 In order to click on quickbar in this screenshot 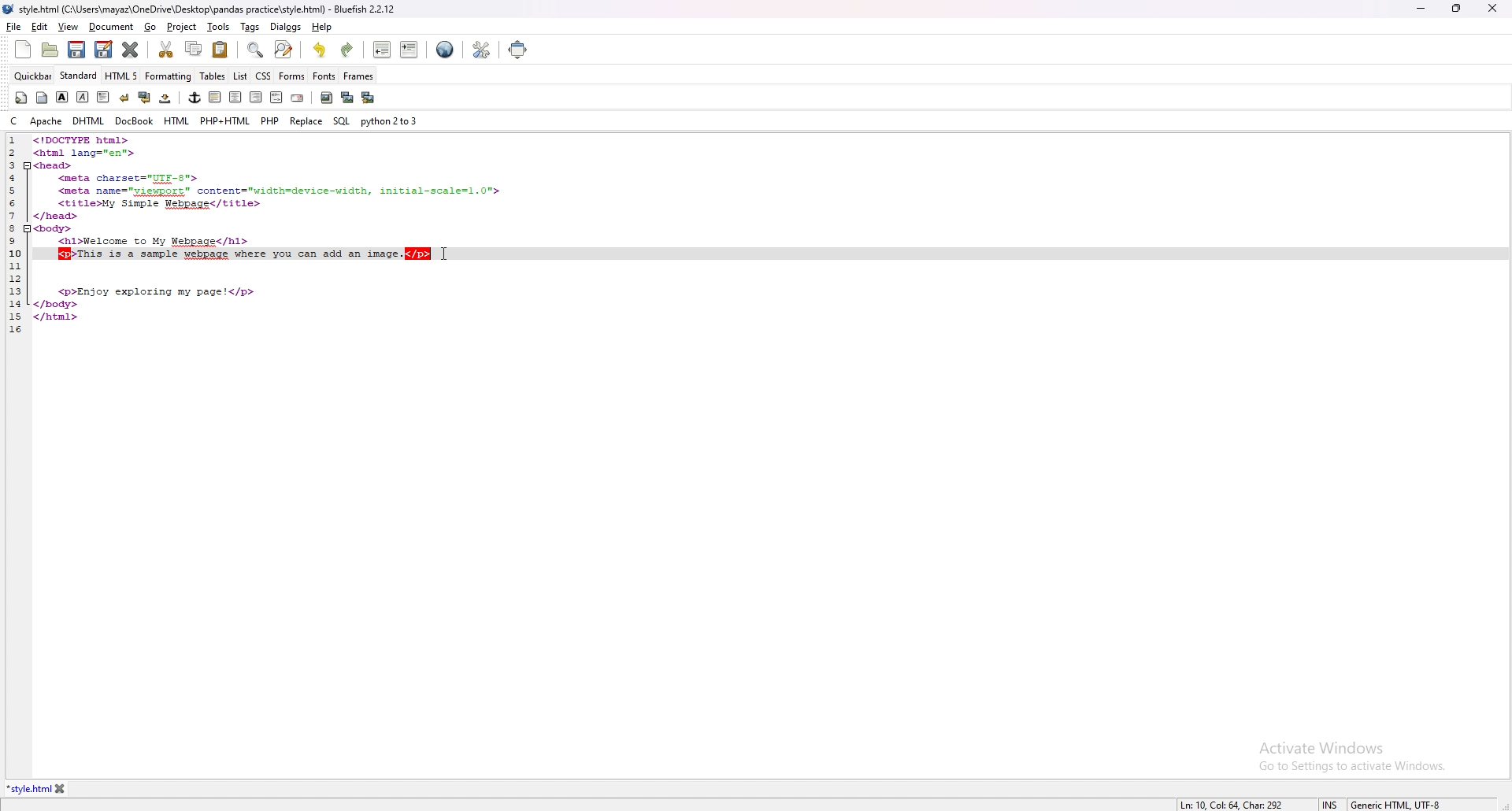, I will do `click(32, 76)`.